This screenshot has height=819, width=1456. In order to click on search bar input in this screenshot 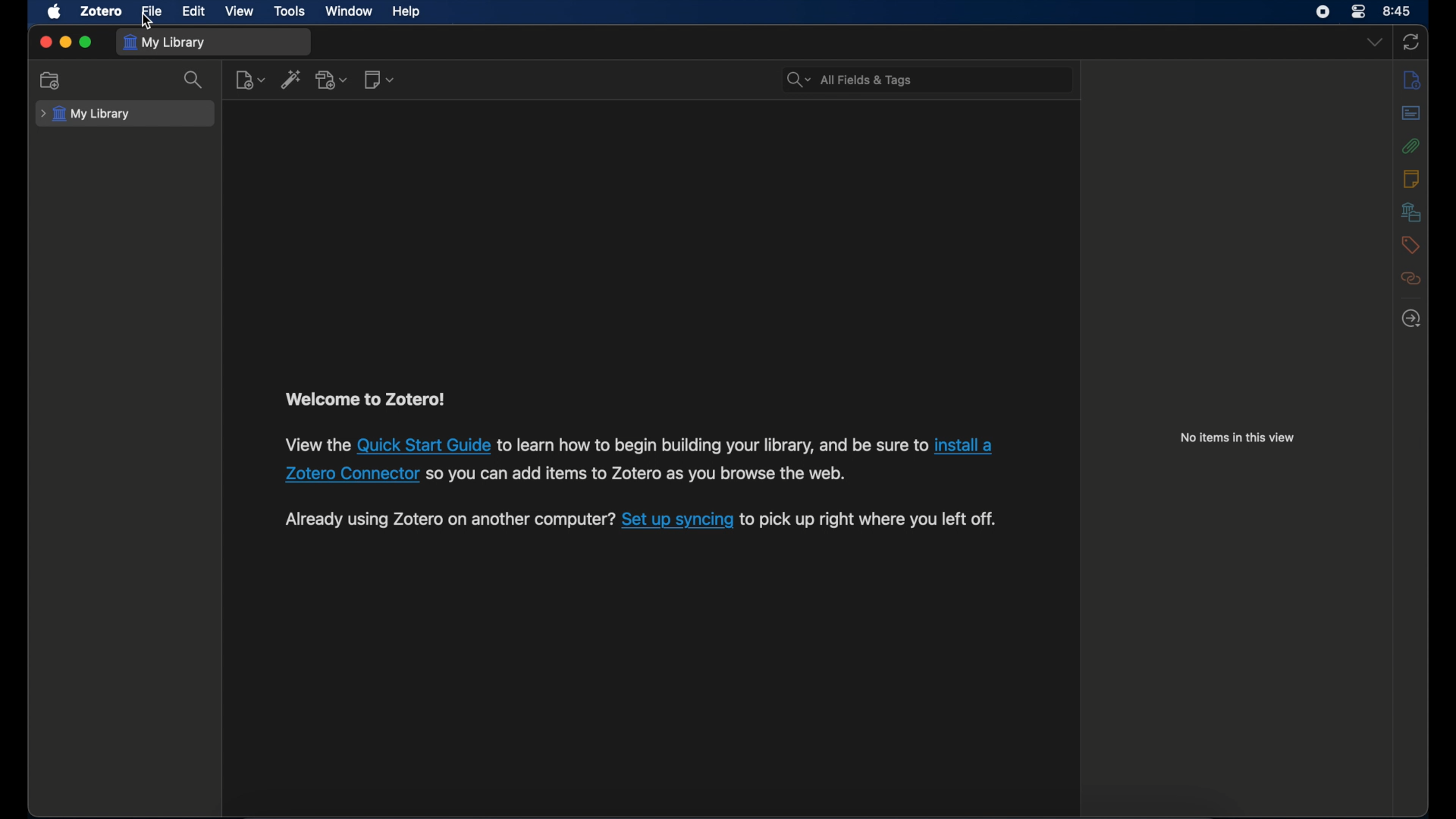, I will do `click(945, 79)`.